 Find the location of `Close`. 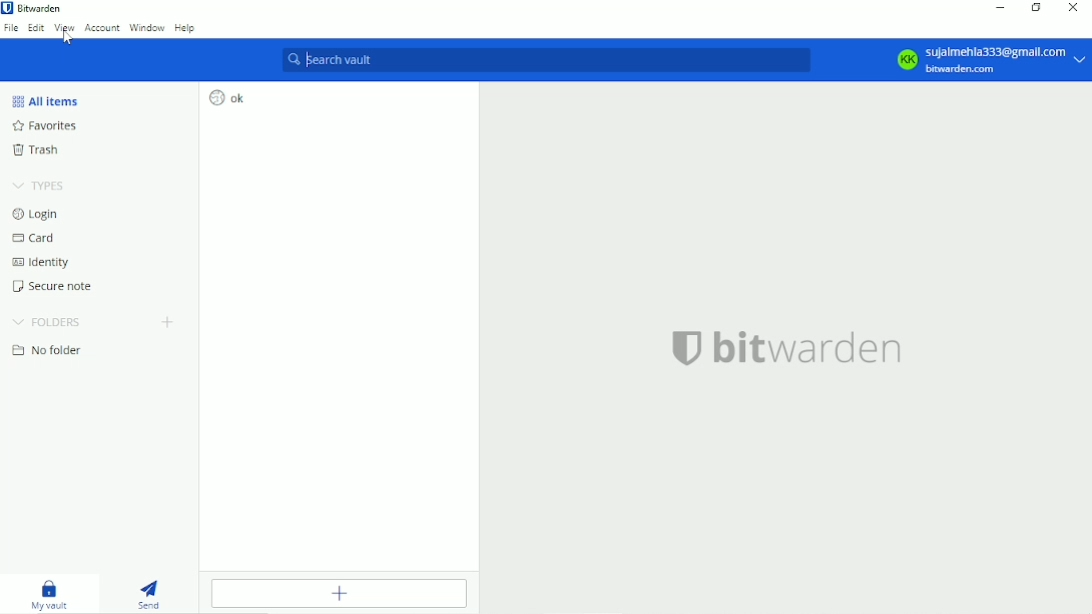

Close is located at coordinates (1072, 8).